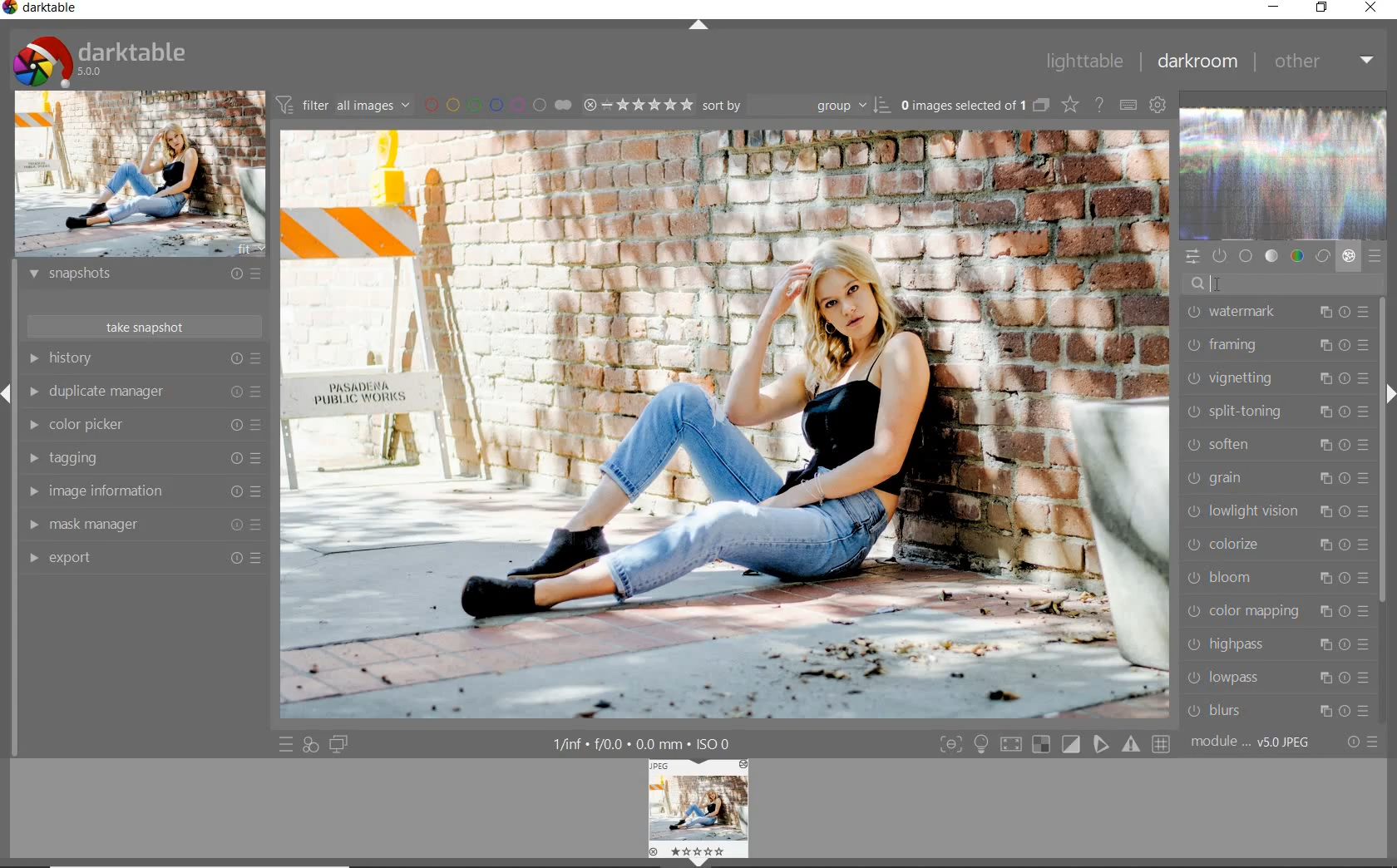  What do you see at coordinates (1275, 547) in the screenshot?
I see `colorize` at bounding box center [1275, 547].